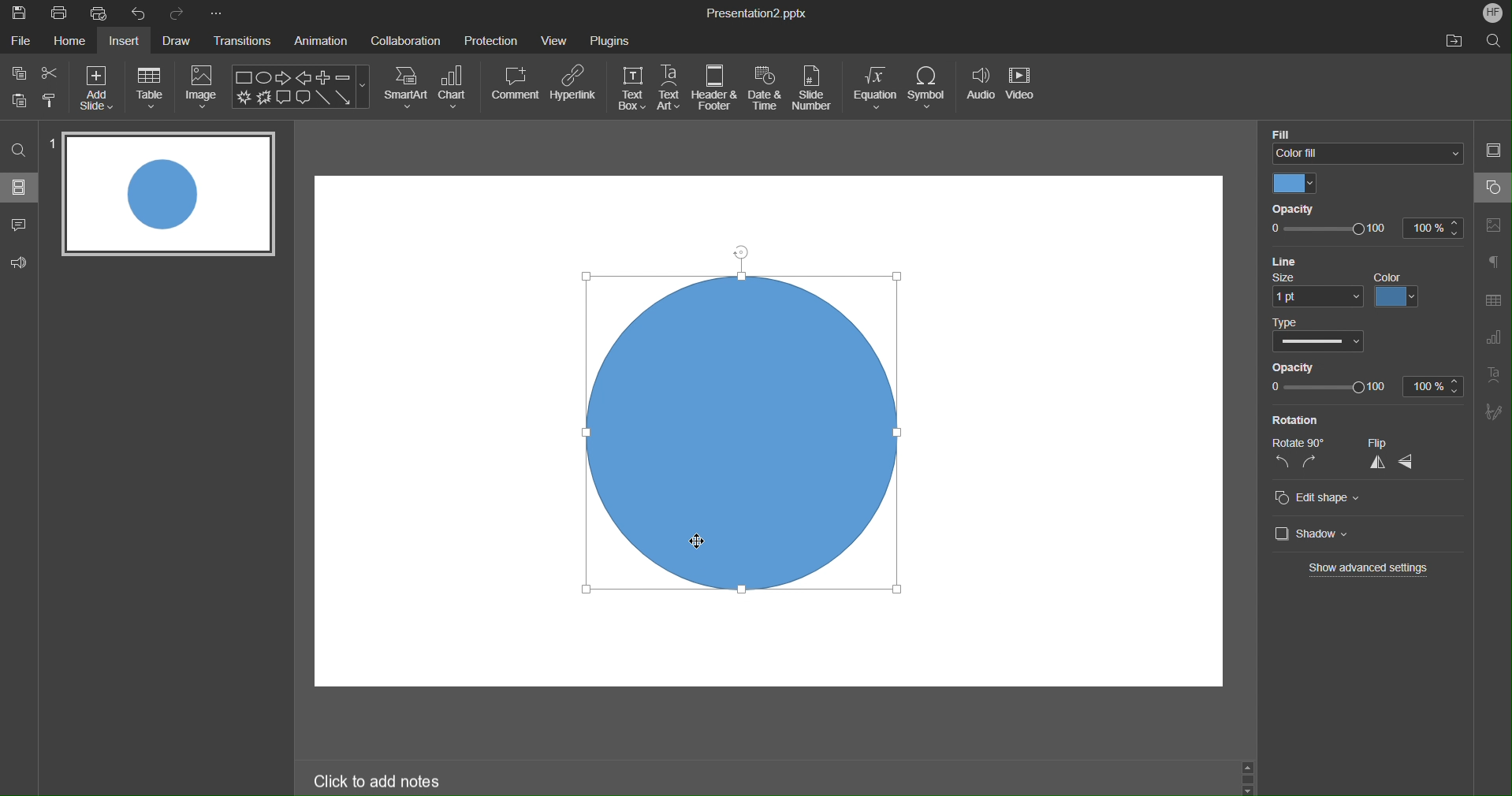  What do you see at coordinates (815, 89) in the screenshot?
I see `Slide Number` at bounding box center [815, 89].